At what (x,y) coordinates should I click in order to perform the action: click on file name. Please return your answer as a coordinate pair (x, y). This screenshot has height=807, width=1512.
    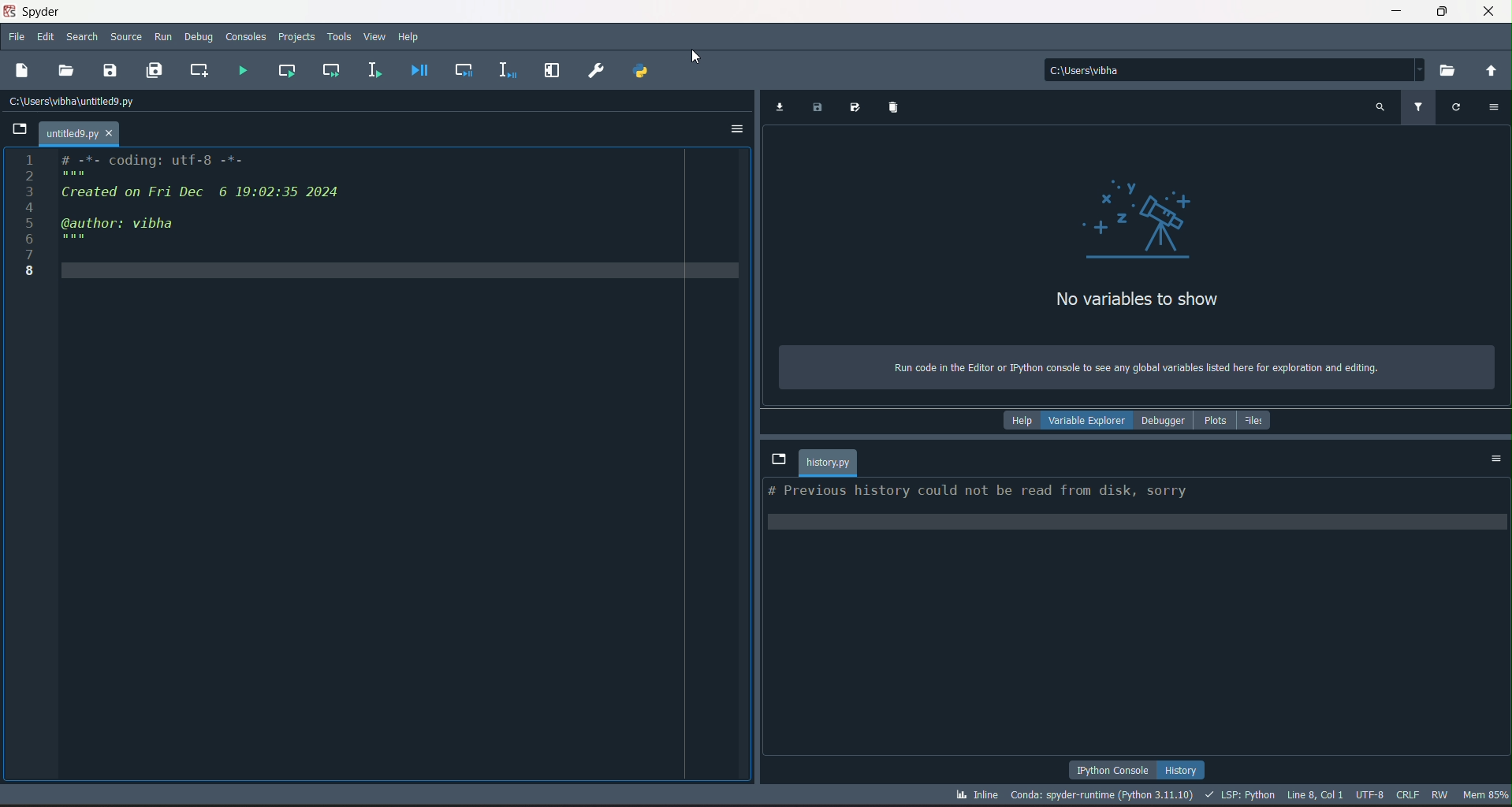
    Looking at the image, I should click on (829, 463).